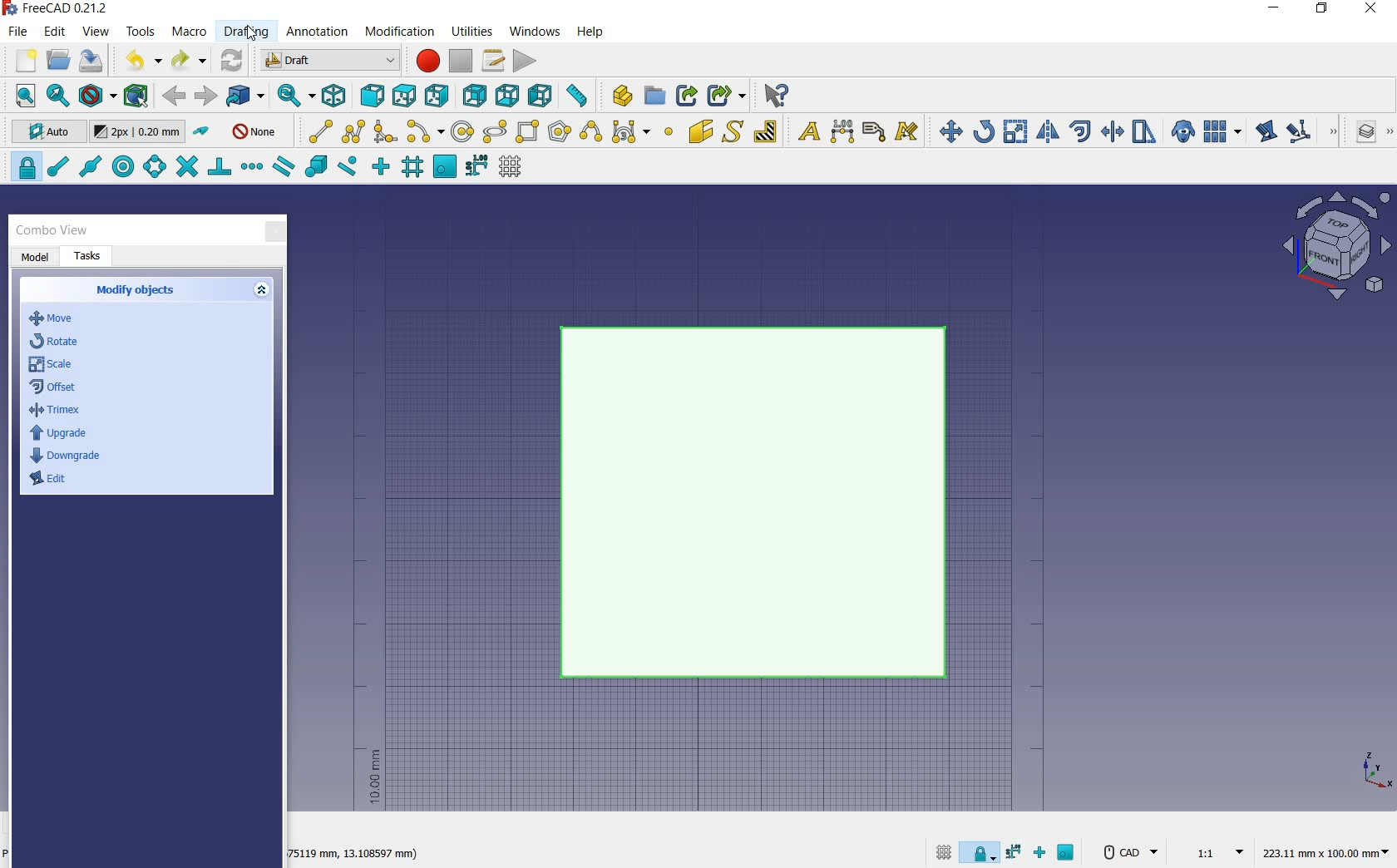  Describe the element at coordinates (1330, 854) in the screenshot. I see `dimension` at that location.